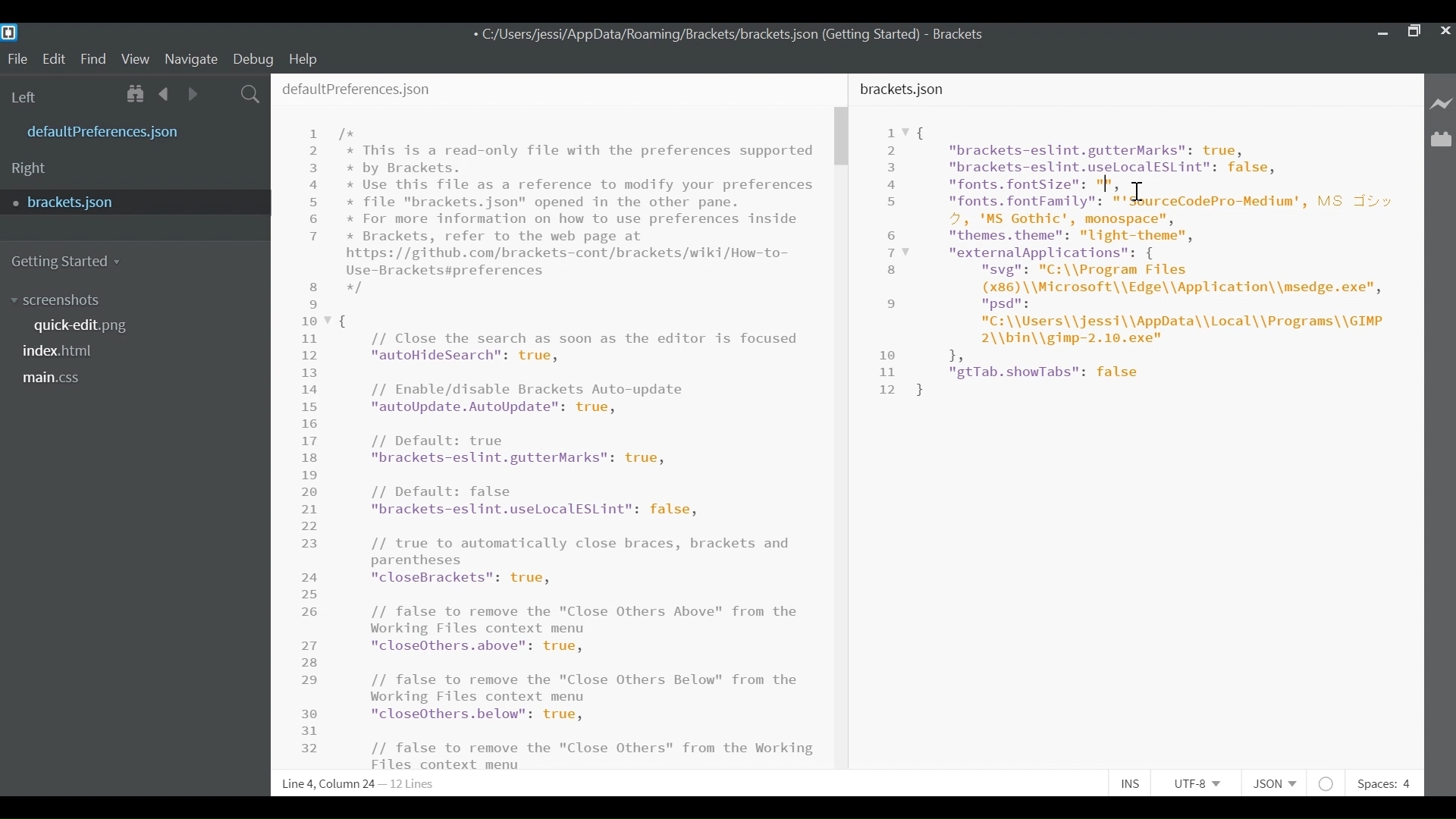 This screenshot has width=1456, height=819. What do you see at coordinates (905, 89) in the screenshot?
I see `bracket.json` at bounding box center [905, 89].